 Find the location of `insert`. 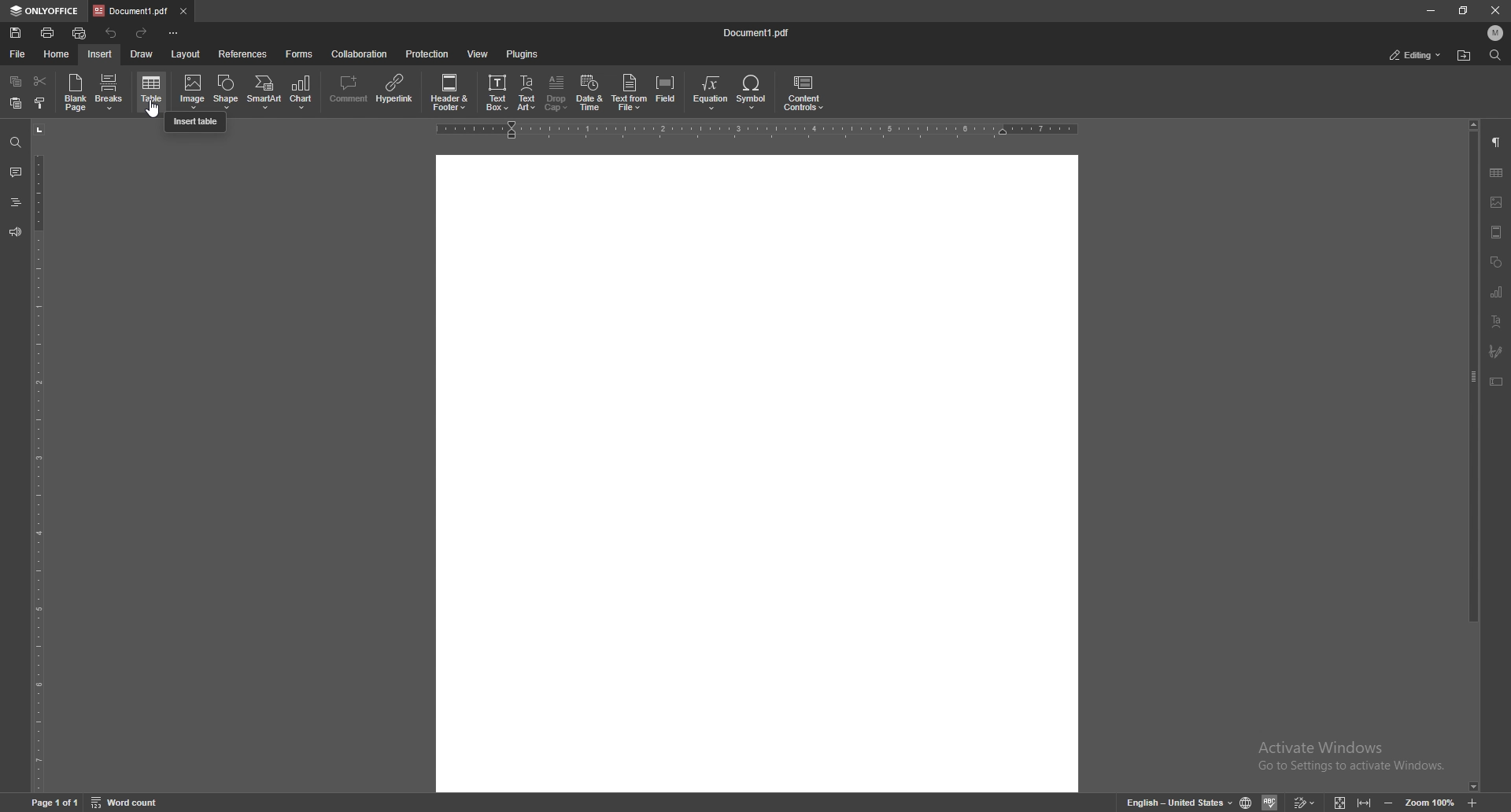

insert is located at coordinates (100, 54).